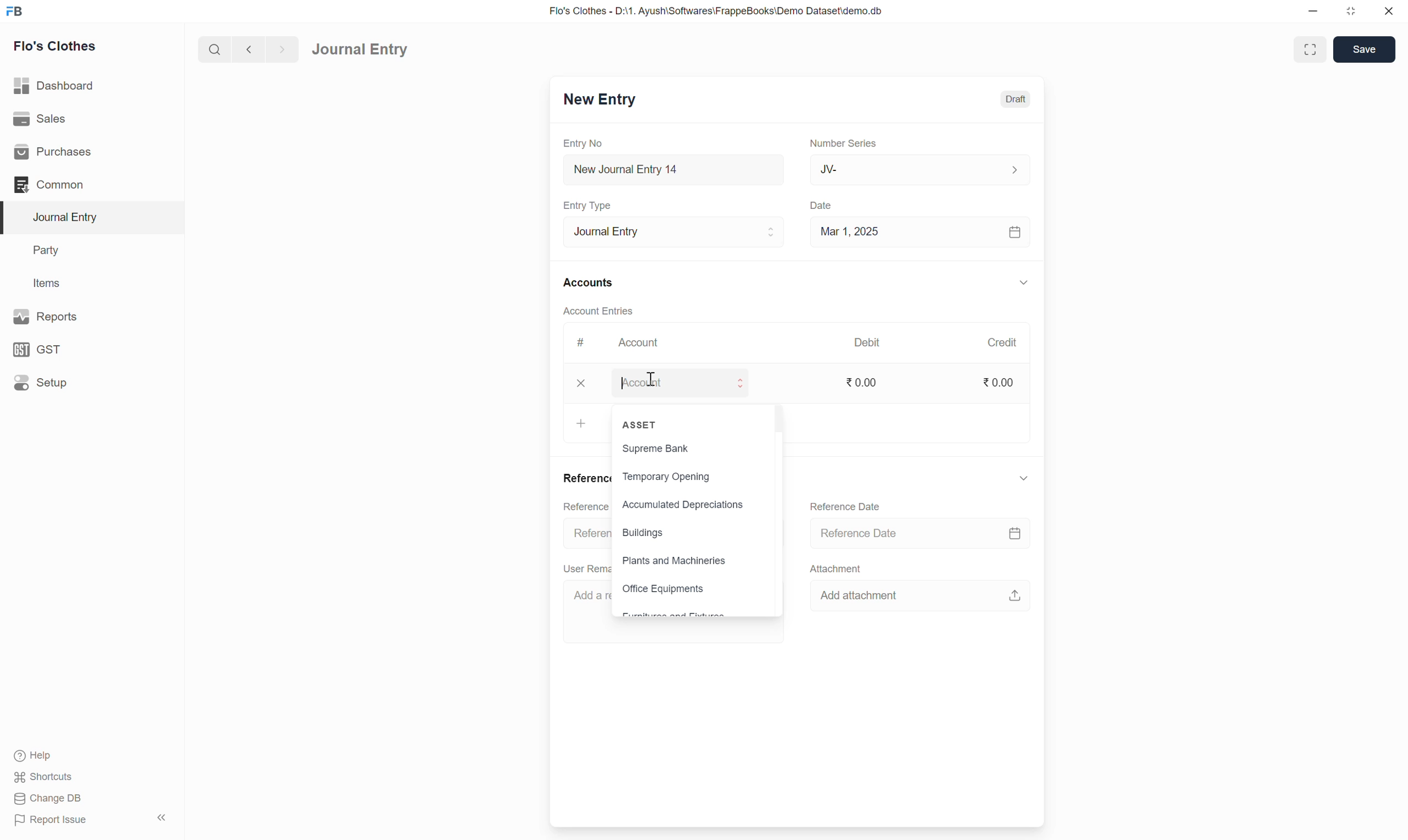 Image resolution: width=1408 pixels, height=840 pixels. What do you see at coordinates (48, 798) in the screenshot?
I see `Change DB` at bounding box center [48, 798].